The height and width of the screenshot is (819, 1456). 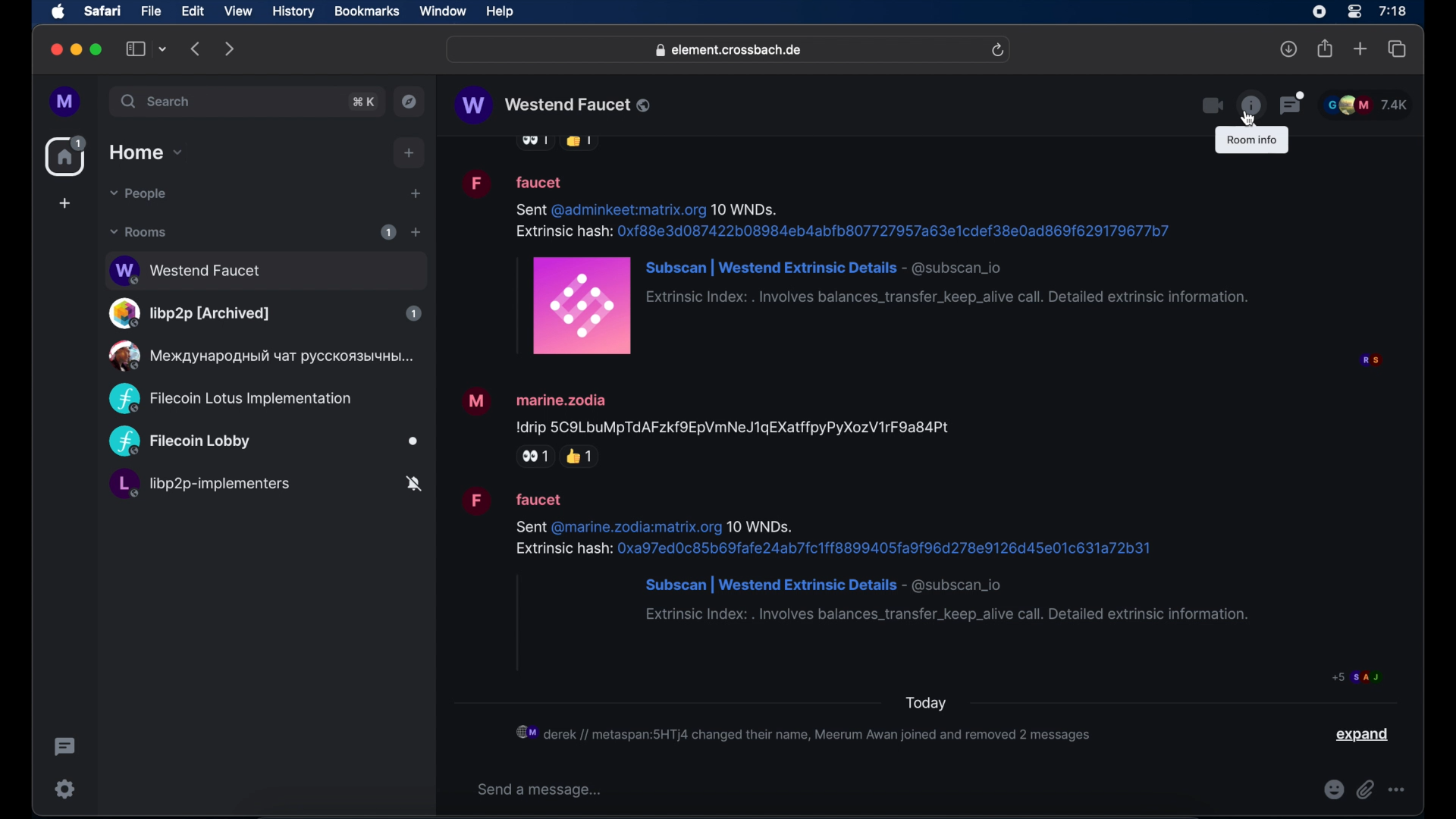 What do you see at coordinates (265, 268) in the screenshot?
I see `public room` at bounding box center [265, 268].